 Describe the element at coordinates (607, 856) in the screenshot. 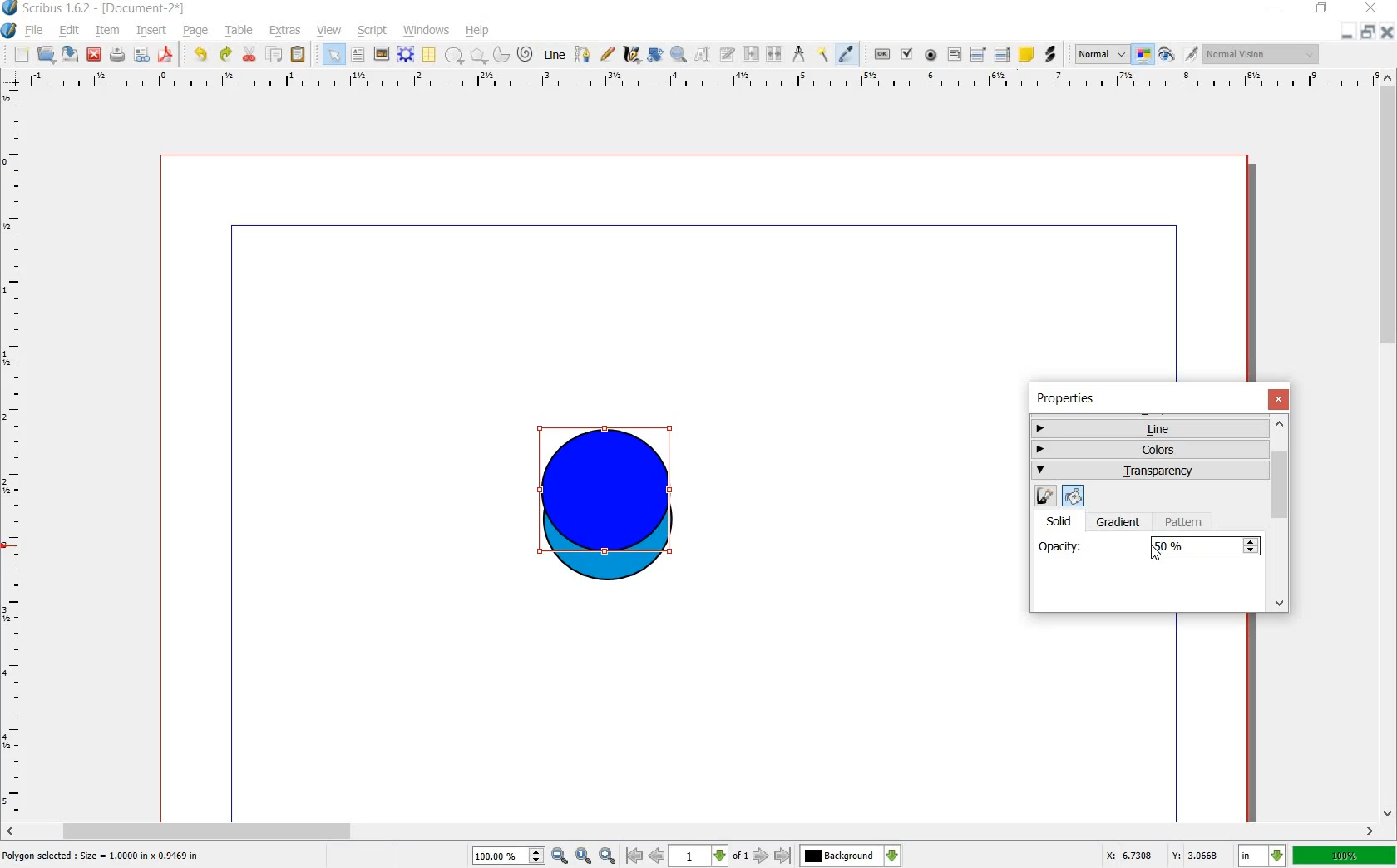

I see `zoom in` at that location.